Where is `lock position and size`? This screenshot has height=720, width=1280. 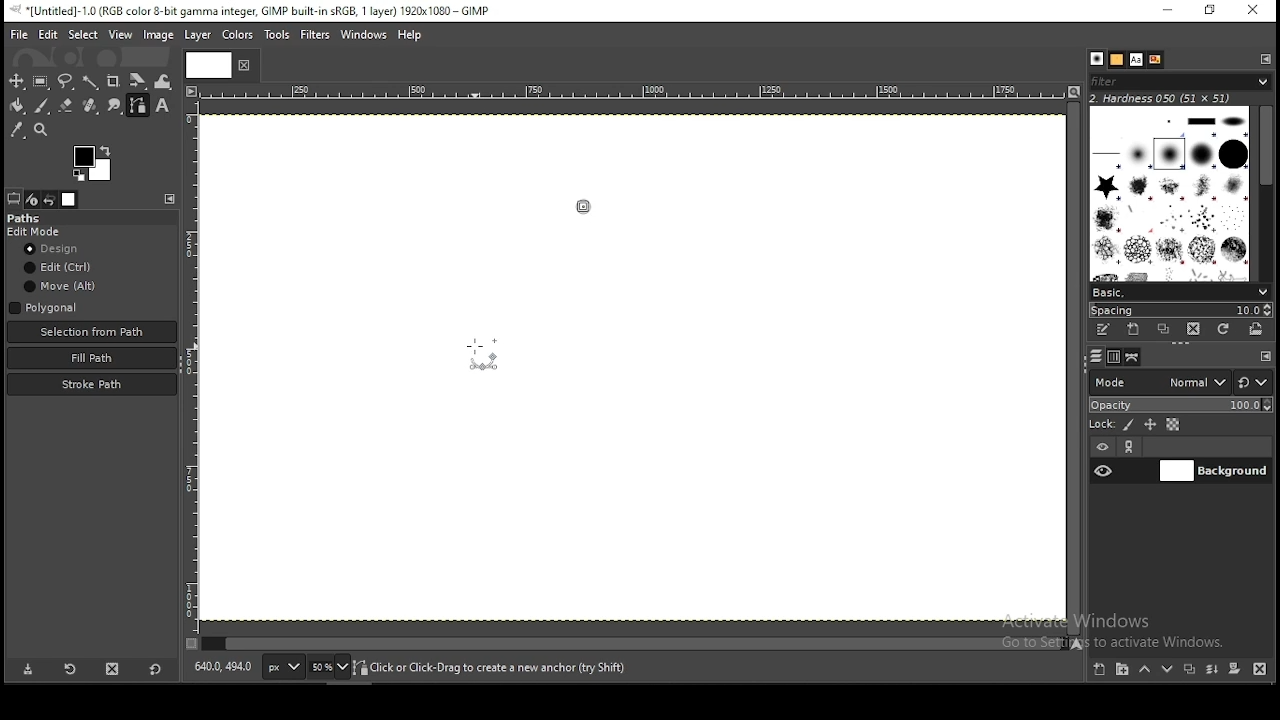 lock position and size is located at coordinates (1150, 424).